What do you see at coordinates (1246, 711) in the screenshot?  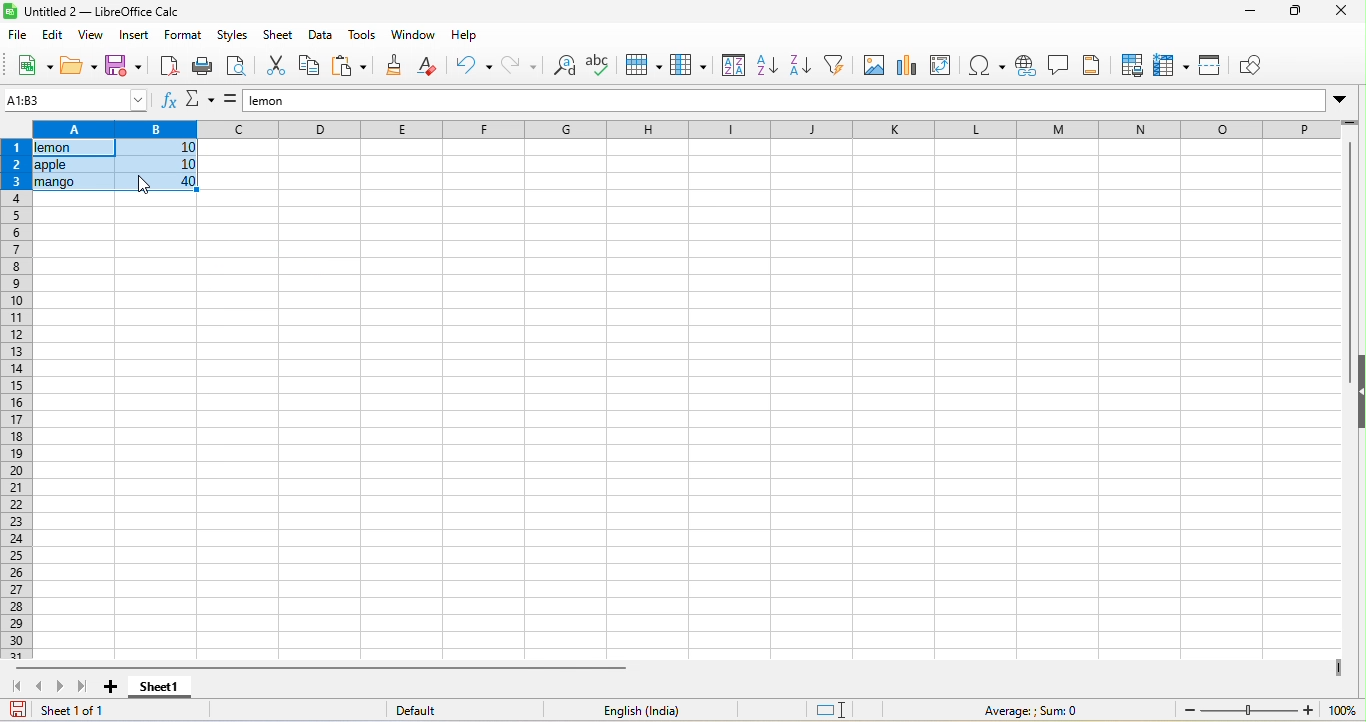 I see `zoom slider` at bounding box center [1246, 711].